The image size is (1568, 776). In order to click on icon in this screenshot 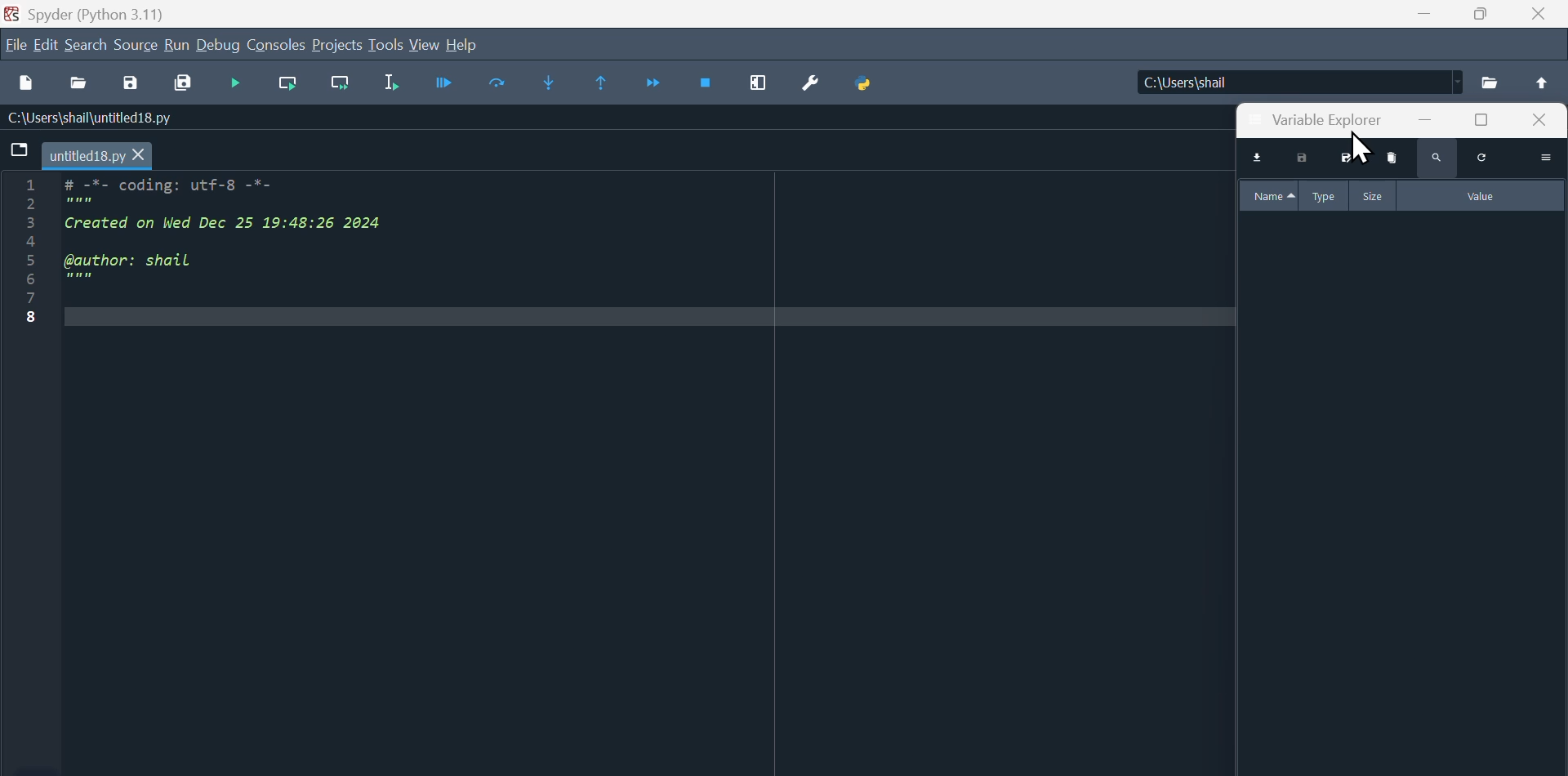, I will do `click(20, 154)`.